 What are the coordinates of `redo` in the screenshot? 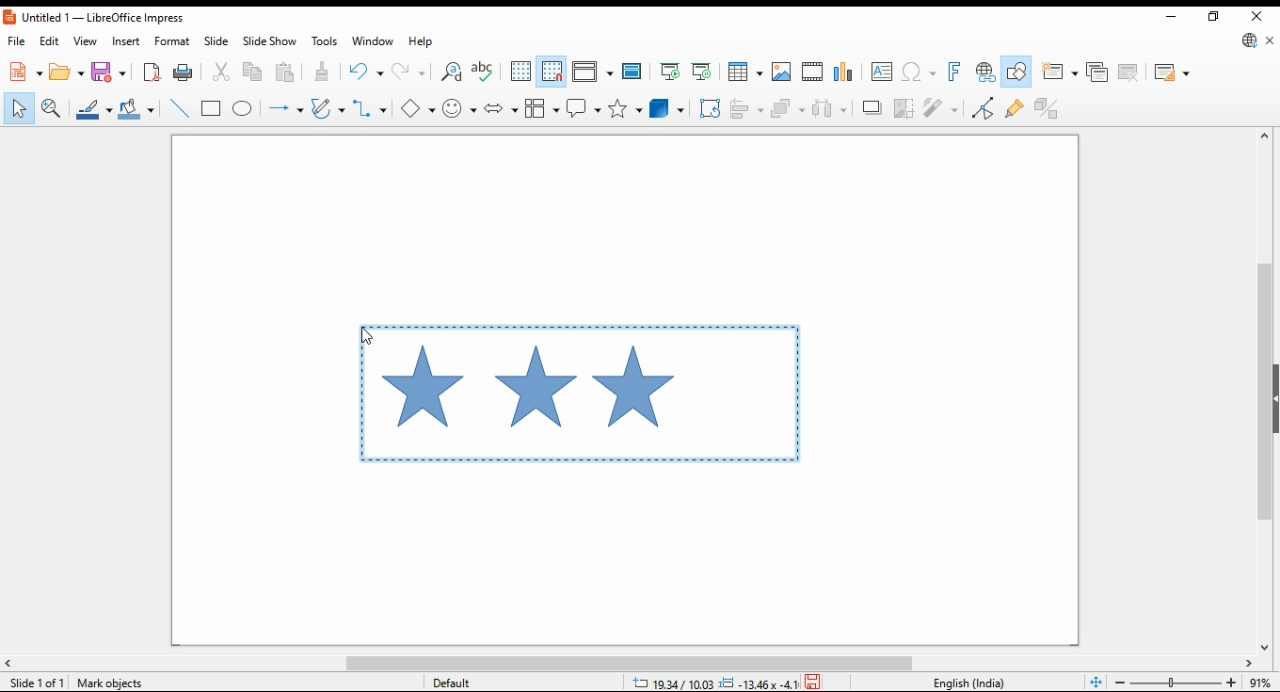 It's located at (410, 70).